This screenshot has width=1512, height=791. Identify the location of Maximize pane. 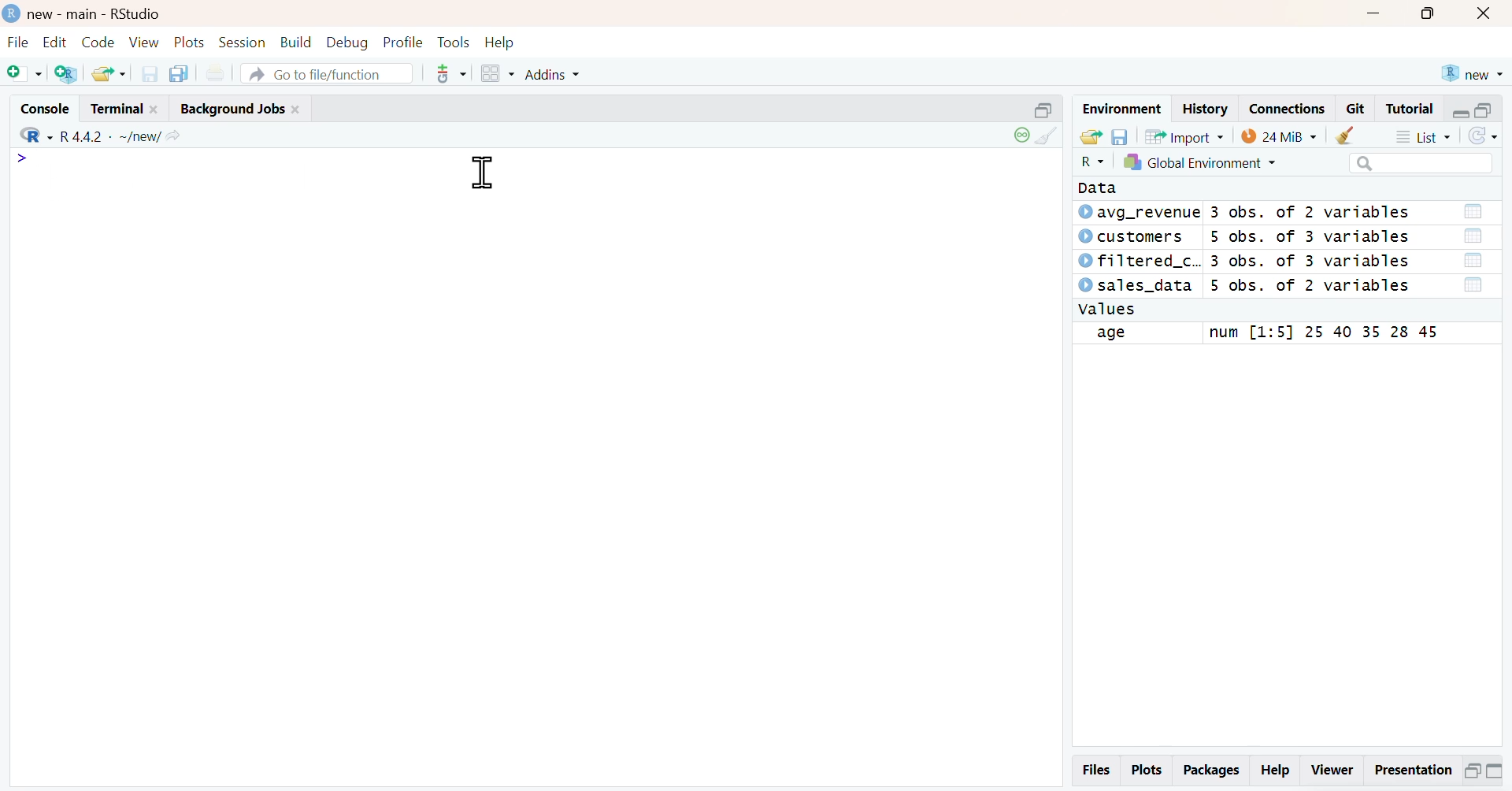
(1495, 773).